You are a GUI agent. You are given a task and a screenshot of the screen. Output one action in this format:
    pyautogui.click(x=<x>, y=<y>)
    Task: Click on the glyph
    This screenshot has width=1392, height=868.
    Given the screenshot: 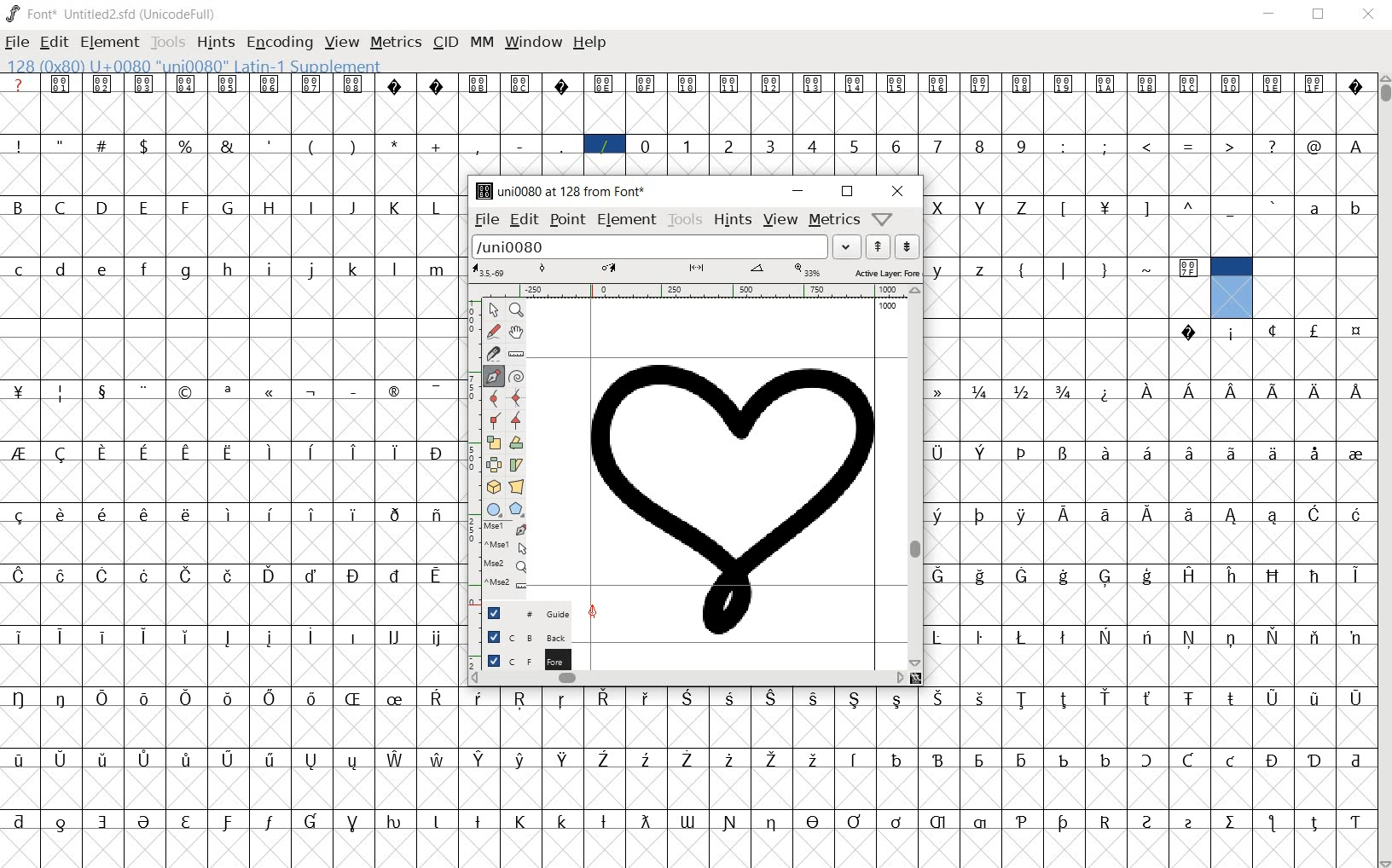 What is the action you would take?
    pyautogui.click(x=312, y=576)
    